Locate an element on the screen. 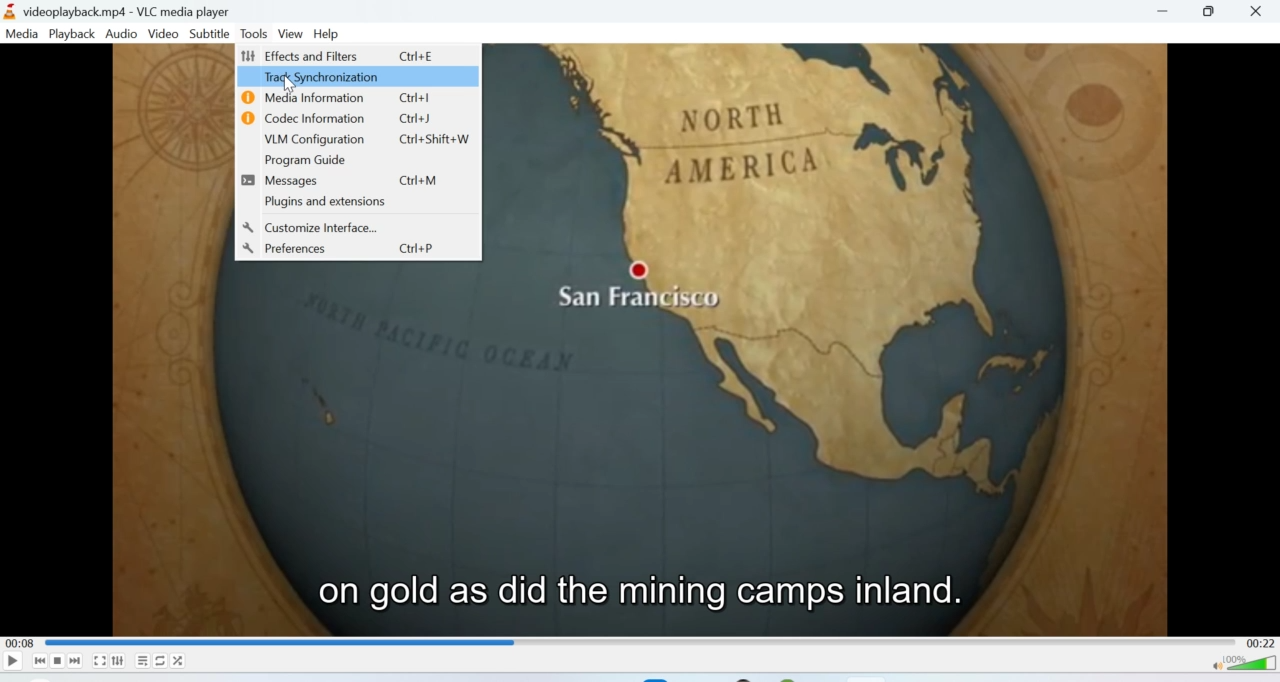 The image size is (1280, 682). Playback is located at coordinates (72, 34).